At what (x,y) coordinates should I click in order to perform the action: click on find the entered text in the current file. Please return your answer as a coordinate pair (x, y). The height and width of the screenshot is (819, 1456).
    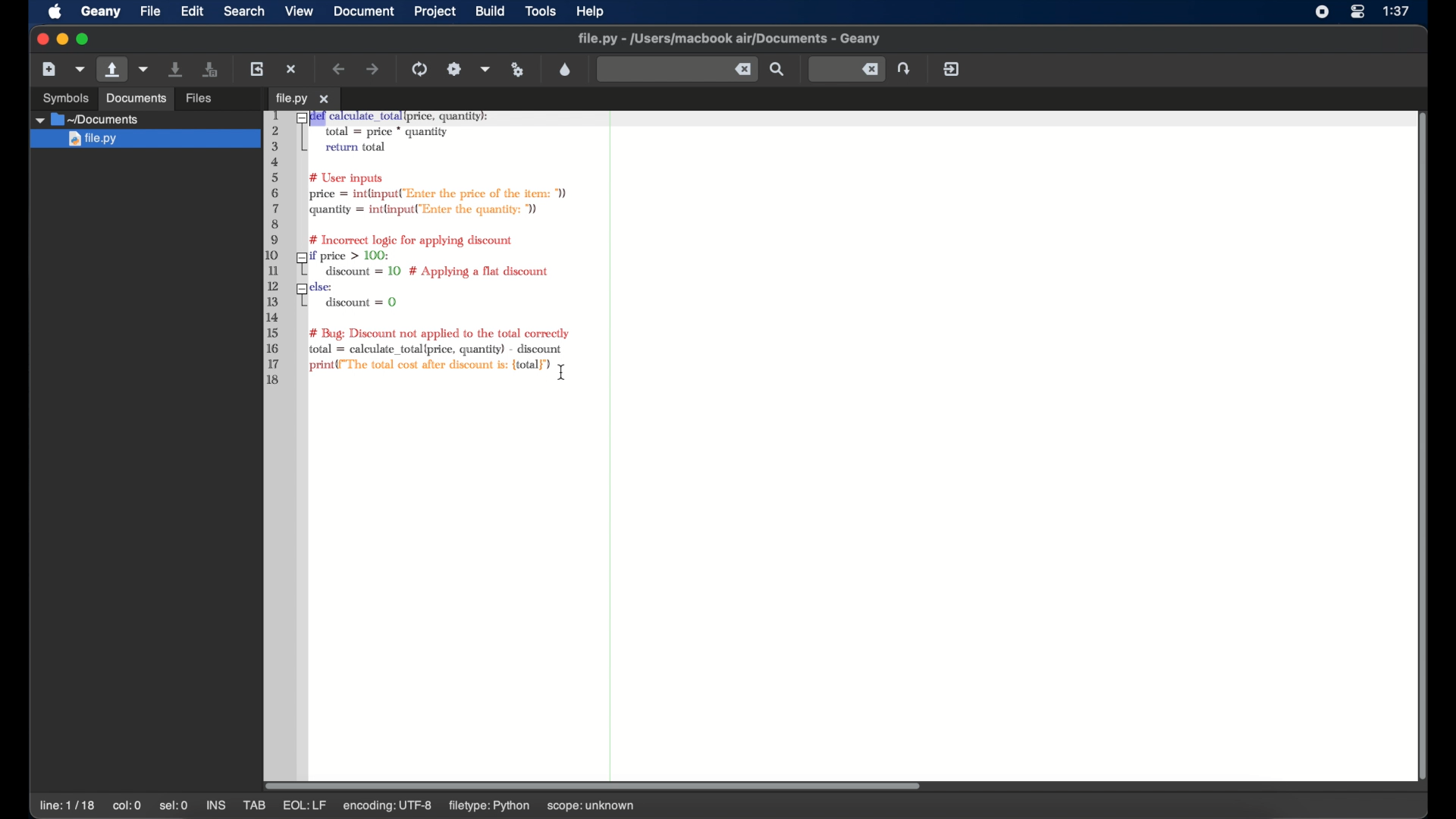
    Looking at the image, I should click on (676, 70).